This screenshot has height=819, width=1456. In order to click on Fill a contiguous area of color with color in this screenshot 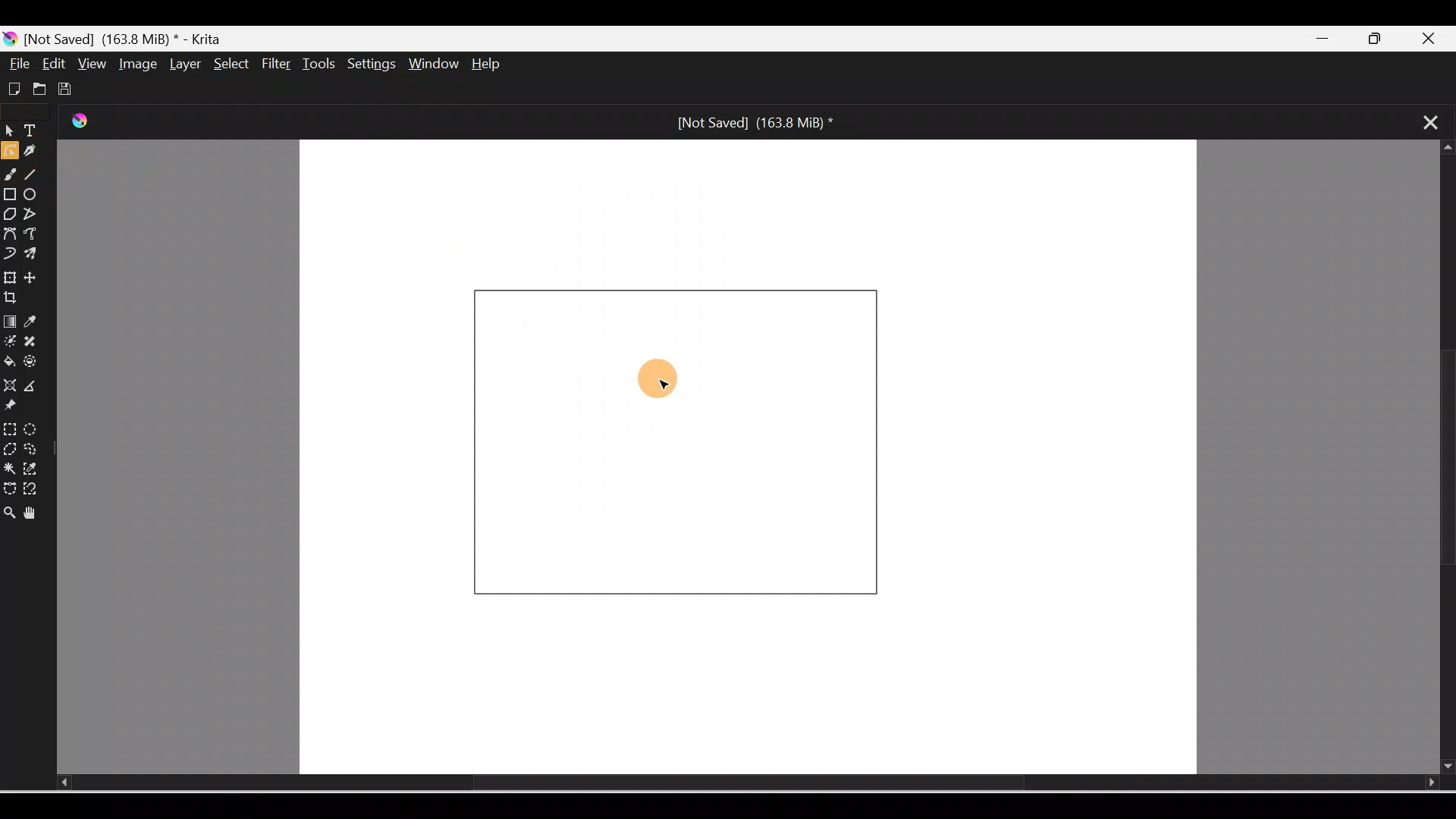, I will do `click(10, 362)`.